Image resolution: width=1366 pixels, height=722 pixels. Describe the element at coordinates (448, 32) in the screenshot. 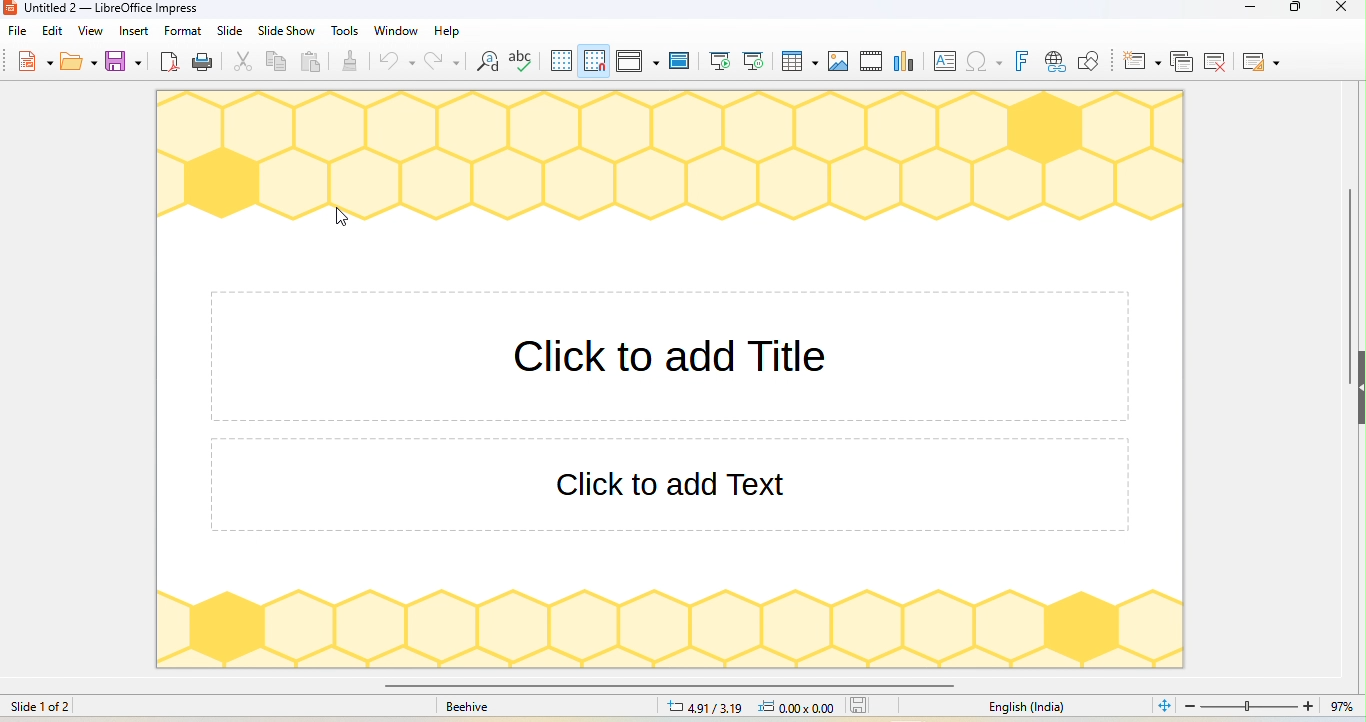

I see `help` at that location.